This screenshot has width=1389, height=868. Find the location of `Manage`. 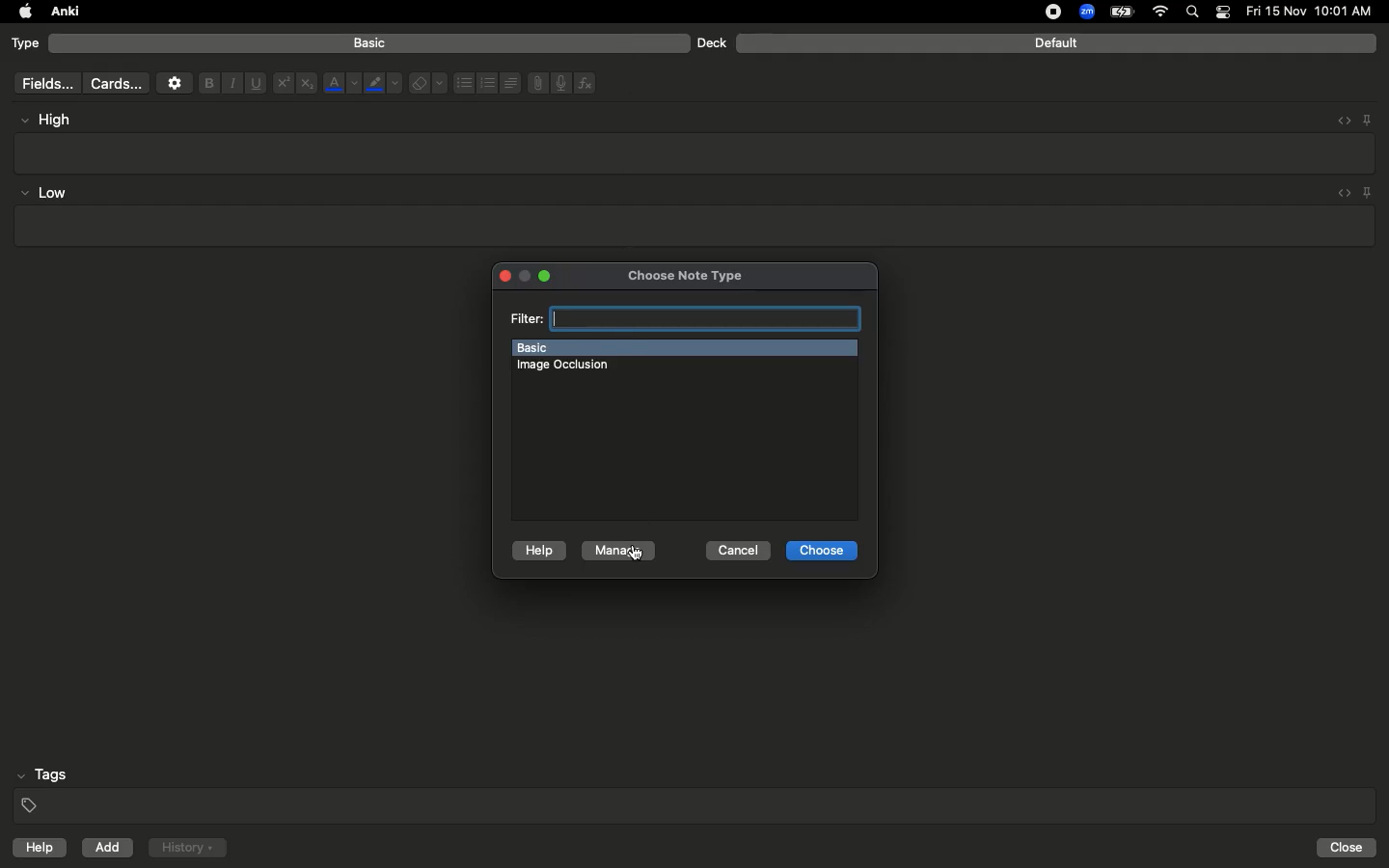

Manage is located at coordinates (616, 553).